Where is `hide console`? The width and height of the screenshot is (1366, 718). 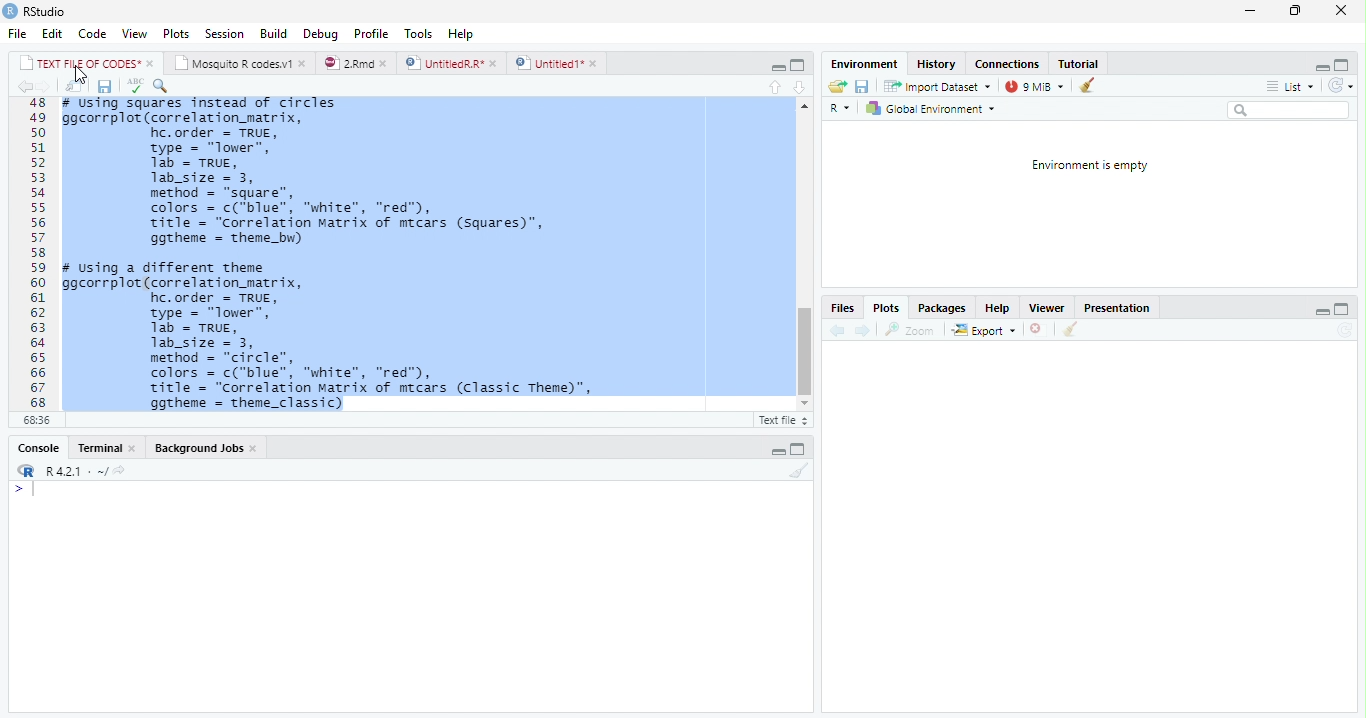
hide console is located at coordinates (1344, 310).